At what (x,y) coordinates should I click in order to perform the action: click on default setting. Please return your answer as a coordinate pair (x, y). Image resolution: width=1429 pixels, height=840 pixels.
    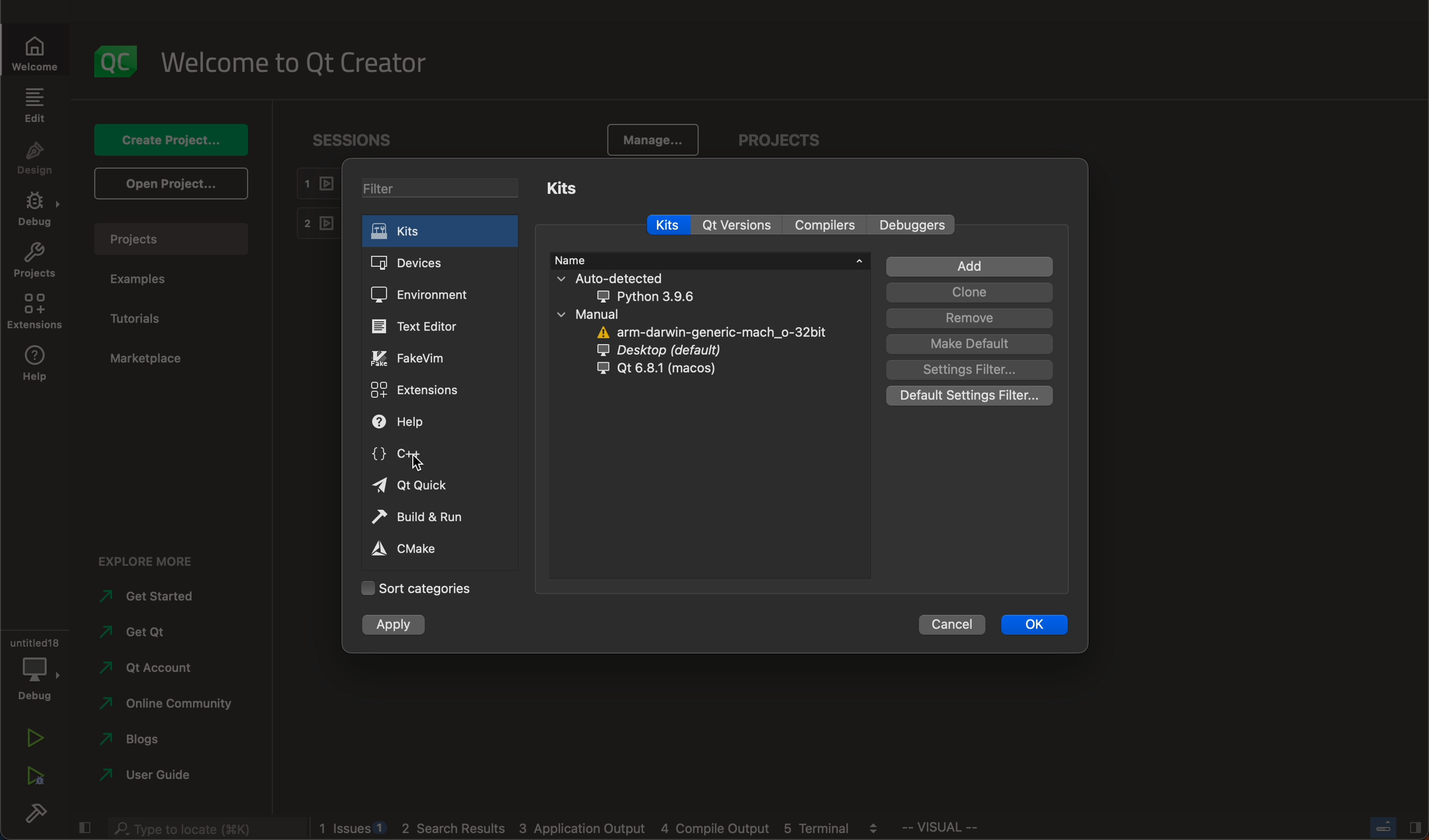
    Looking at the image, I should click on (970, 396).